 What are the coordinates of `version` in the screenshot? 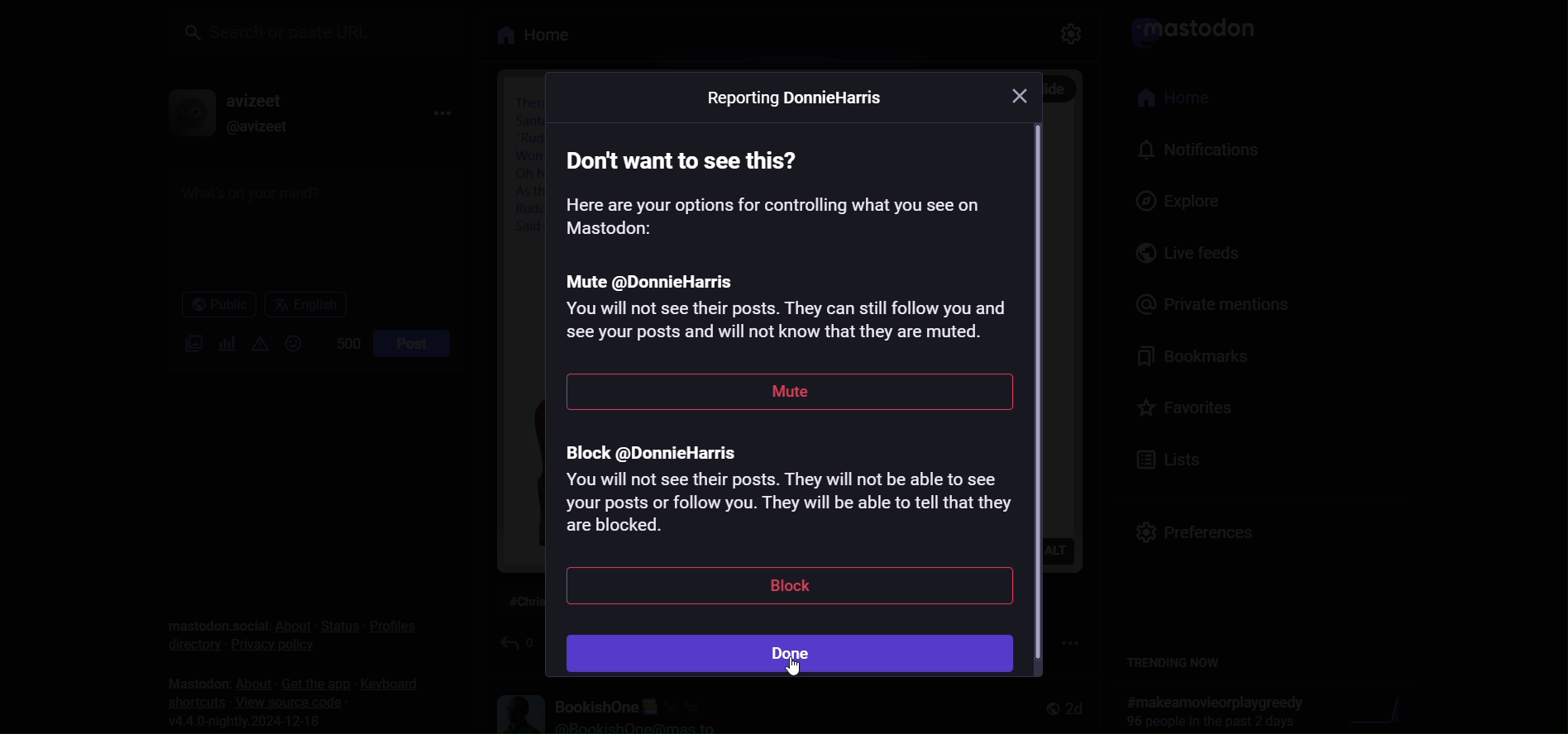 It's located at (253, 722).